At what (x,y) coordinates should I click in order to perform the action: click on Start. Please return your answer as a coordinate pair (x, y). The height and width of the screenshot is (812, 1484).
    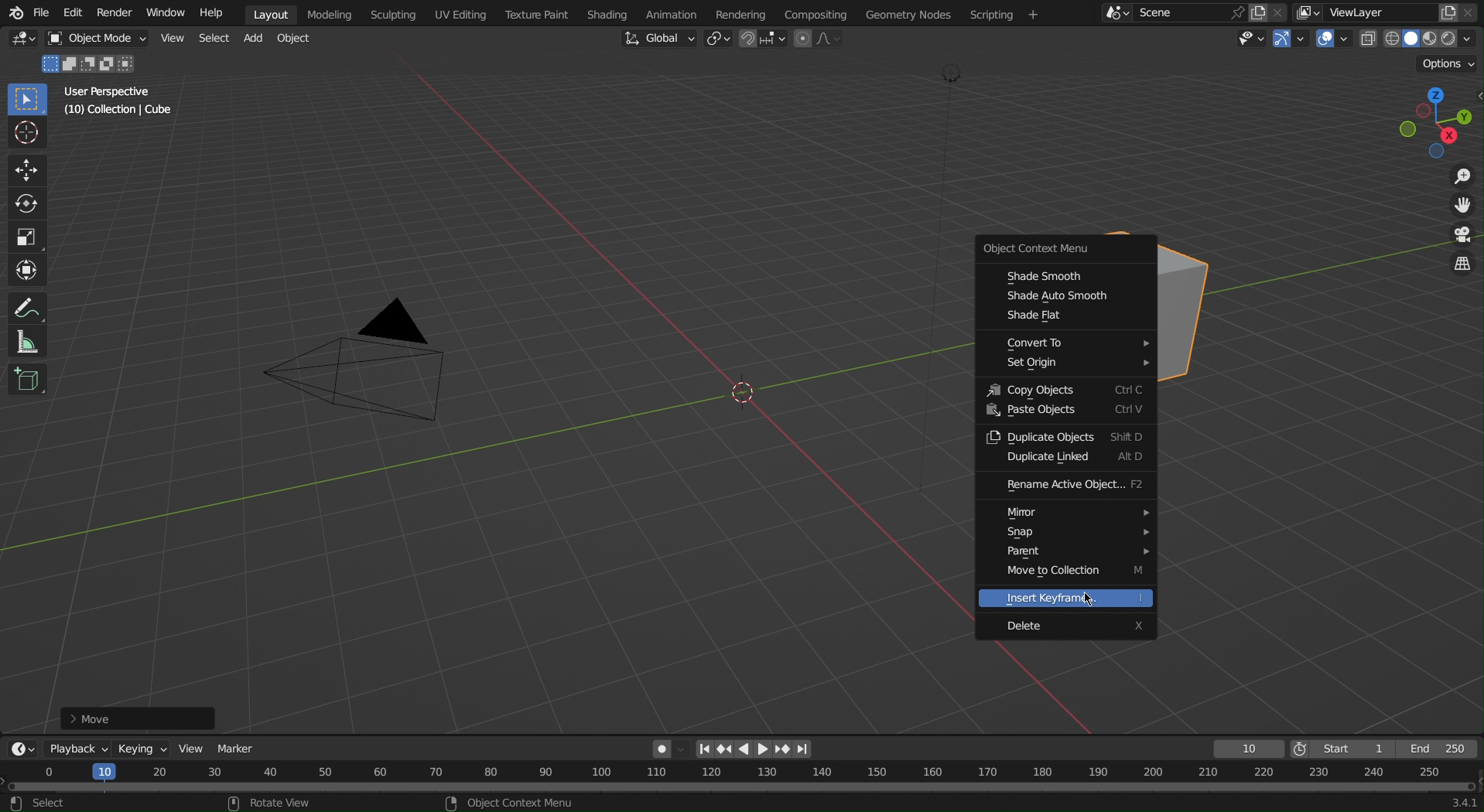
    Looking at the image, I should click on (1342, 749).